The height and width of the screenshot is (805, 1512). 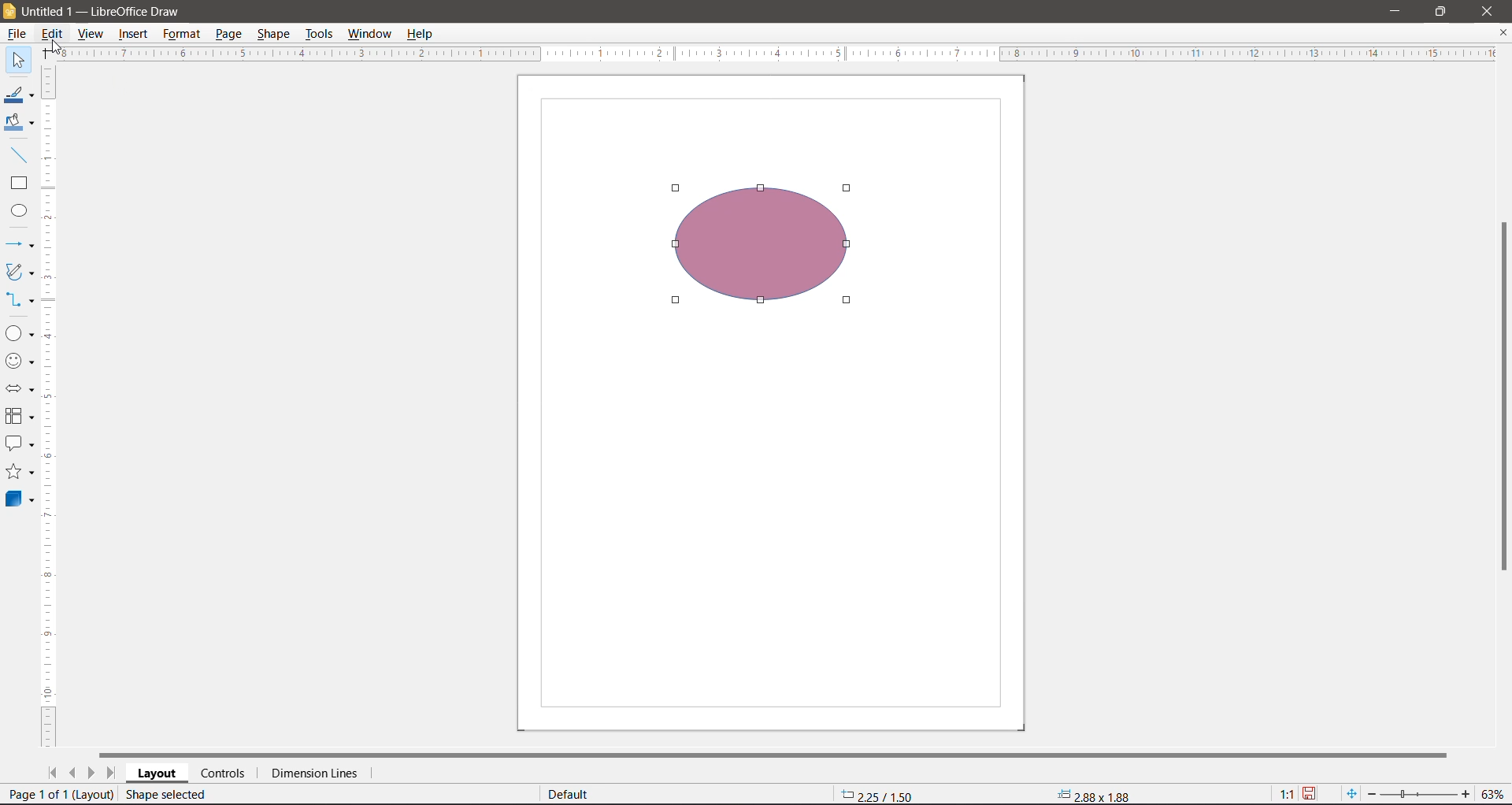 I want to click on Curves and Polygons, so click(x=20, y=273).